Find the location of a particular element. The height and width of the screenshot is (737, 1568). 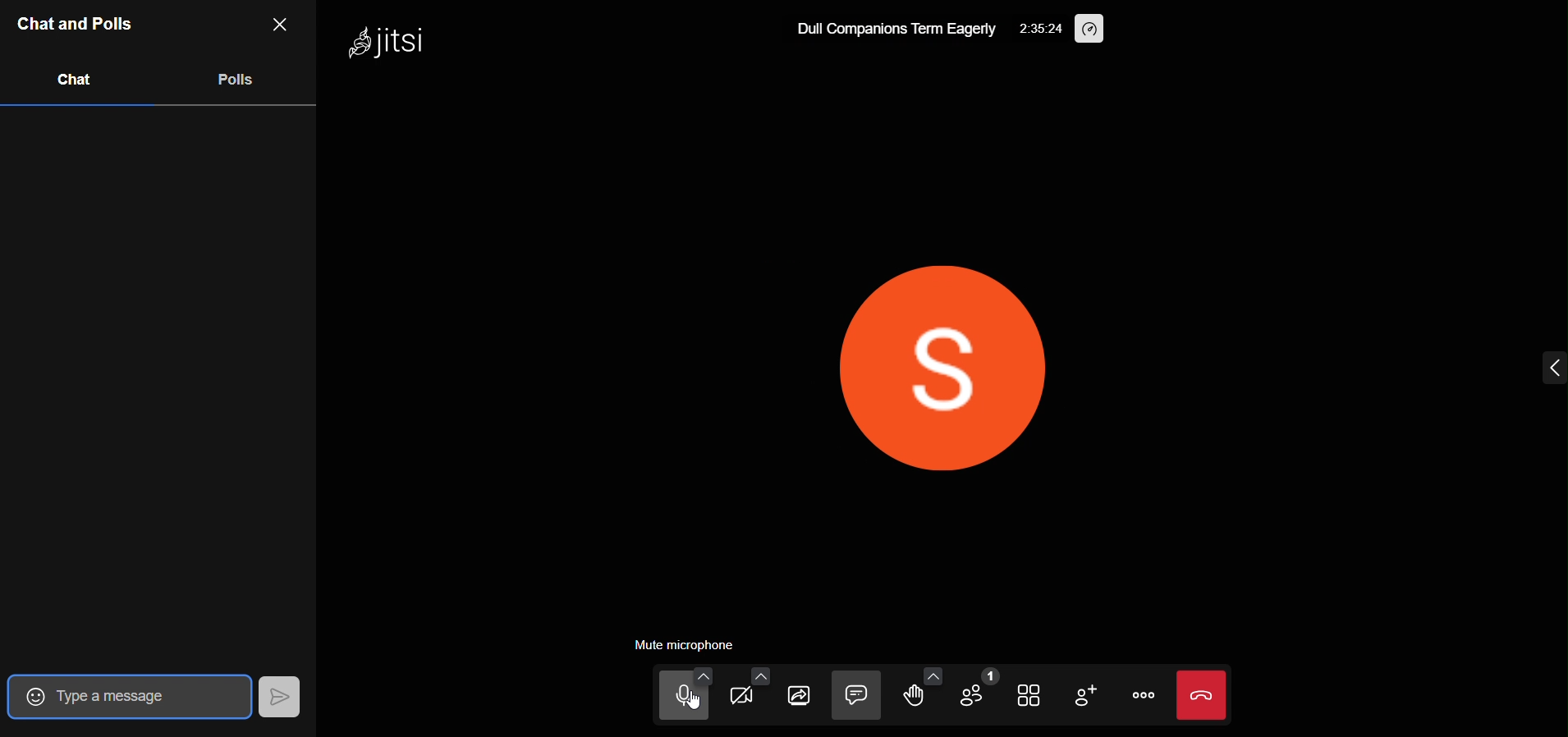

video is located at coordinates (750, 702).